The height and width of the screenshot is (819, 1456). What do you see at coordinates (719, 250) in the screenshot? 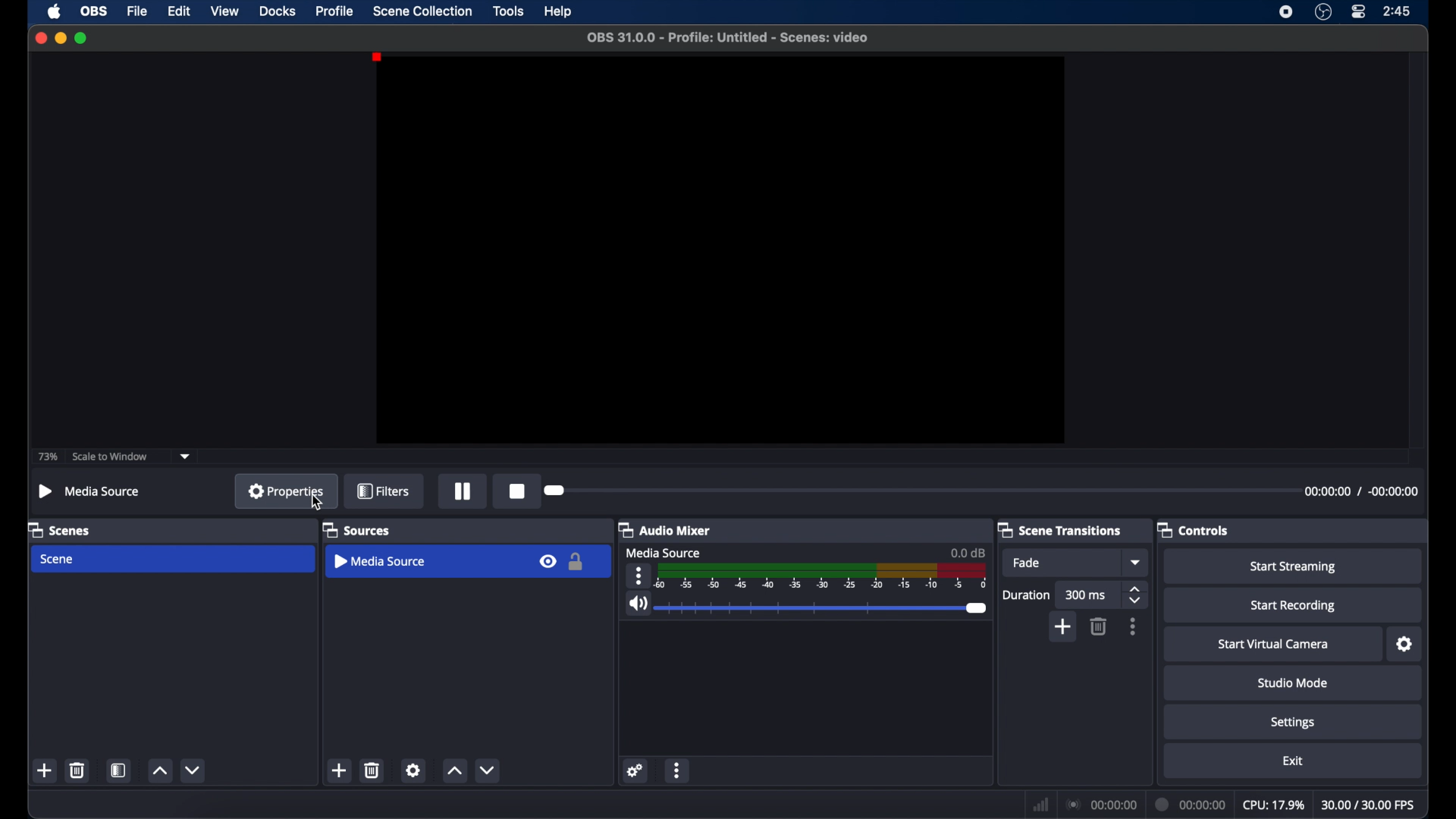
I see `preview` at bounding box center [719, 250].